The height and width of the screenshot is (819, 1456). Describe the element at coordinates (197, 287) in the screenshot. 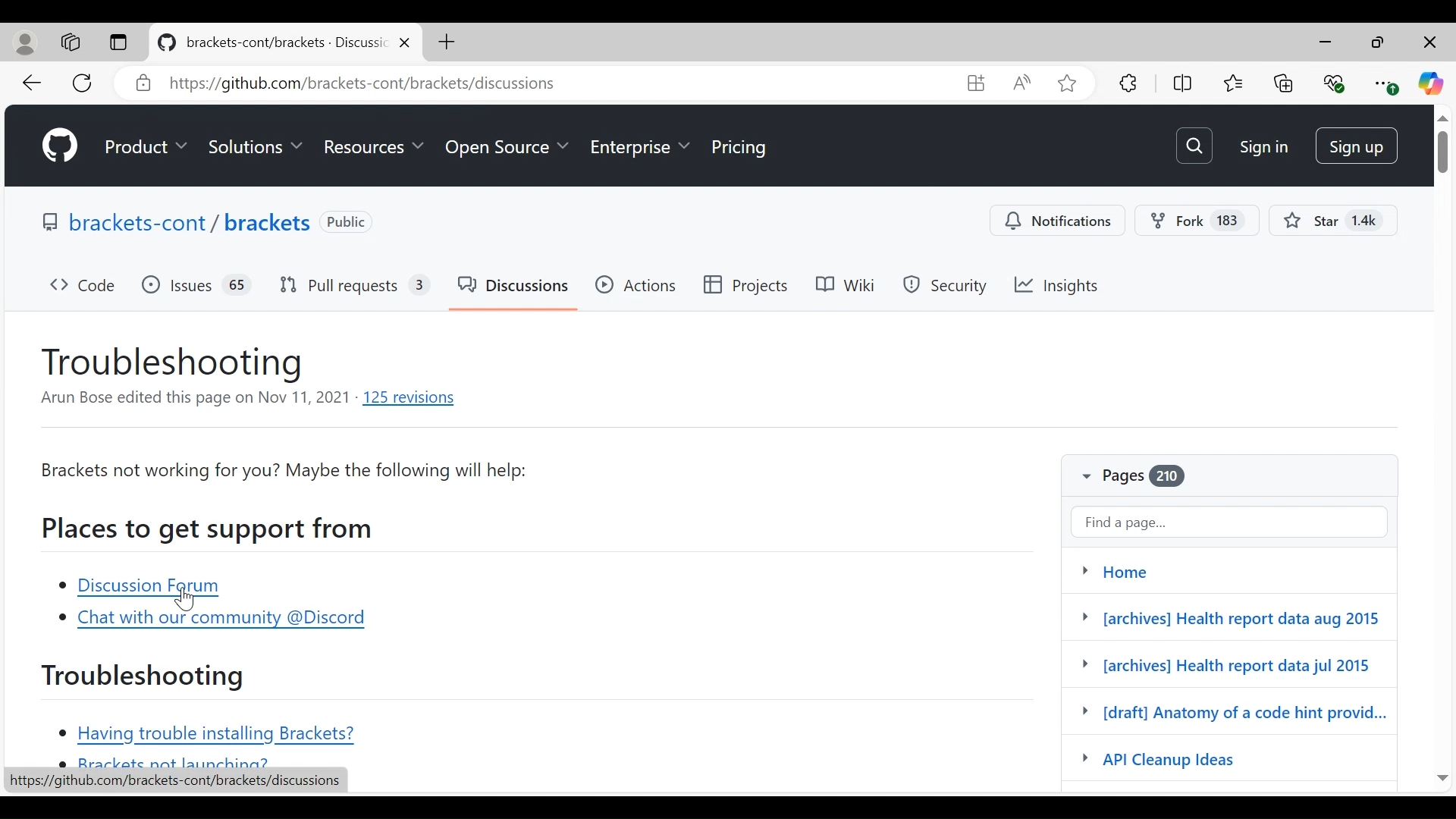

I see `Issues` at that location.